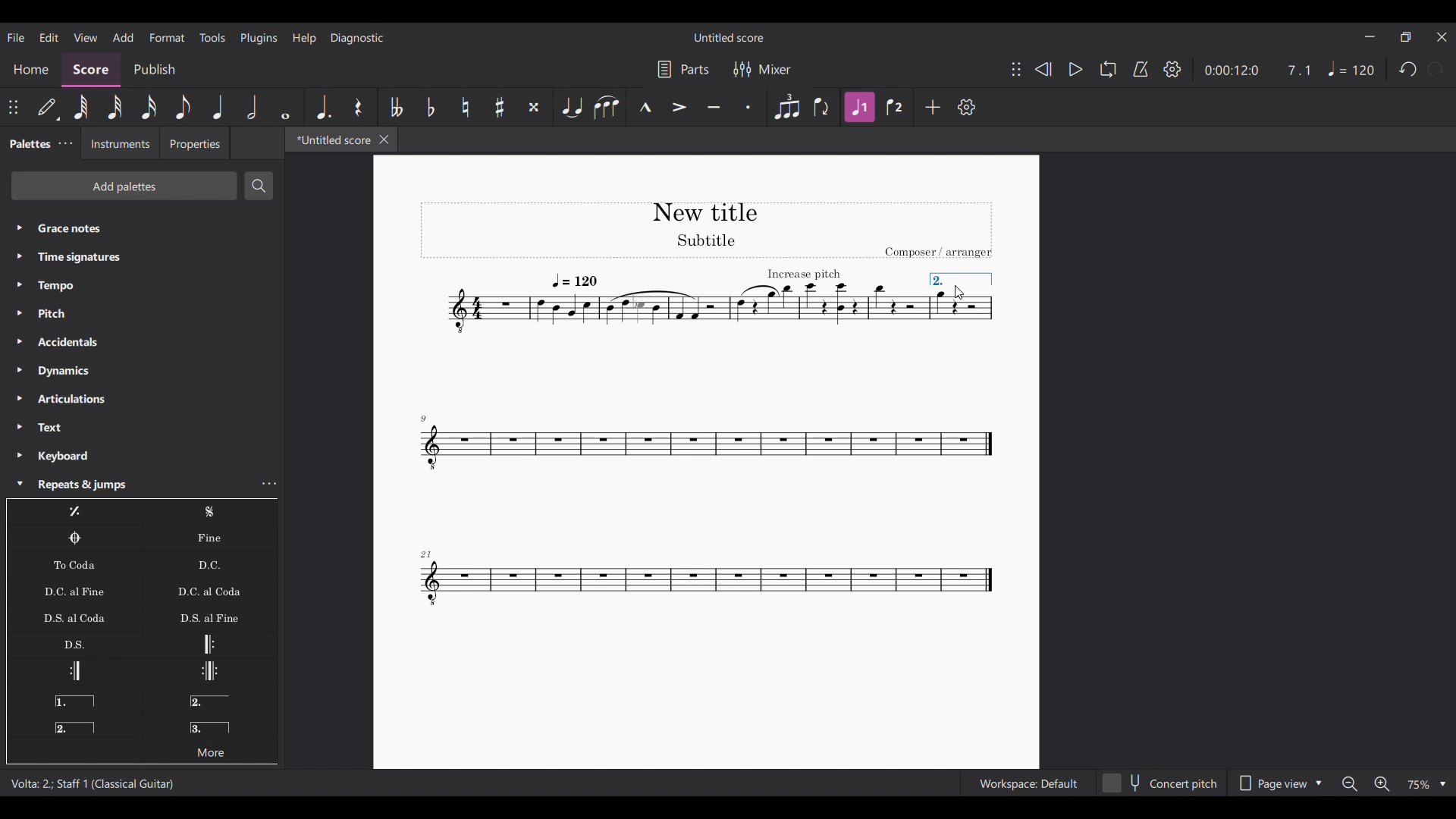 The image size is (1456, 819). What do you see at coordinates (1016, 69) in the screenshot?
I see `Change position` at bounding box center [1016, 69].